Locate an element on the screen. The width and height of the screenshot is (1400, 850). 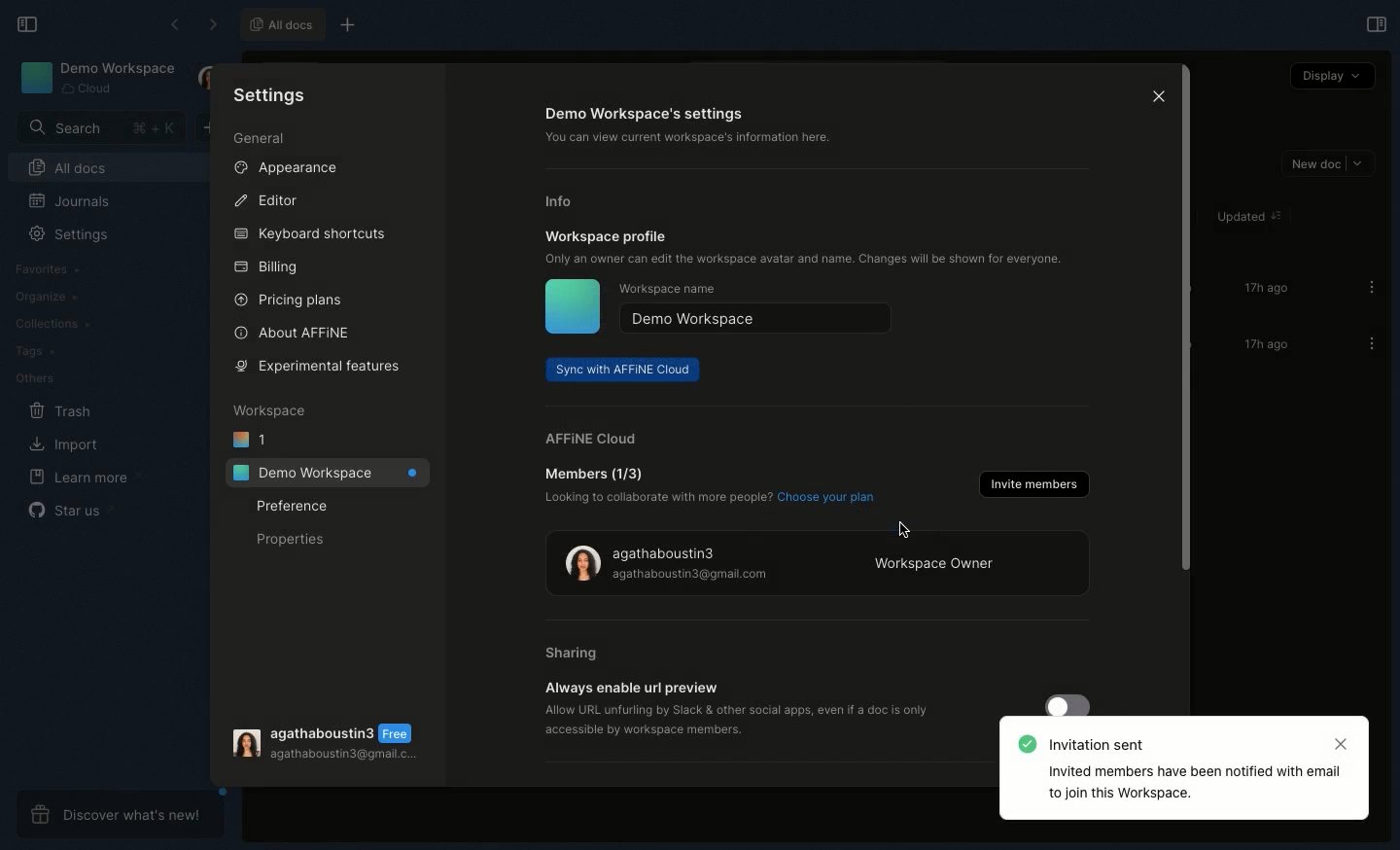
Display is located at coordinates (1331, 75).